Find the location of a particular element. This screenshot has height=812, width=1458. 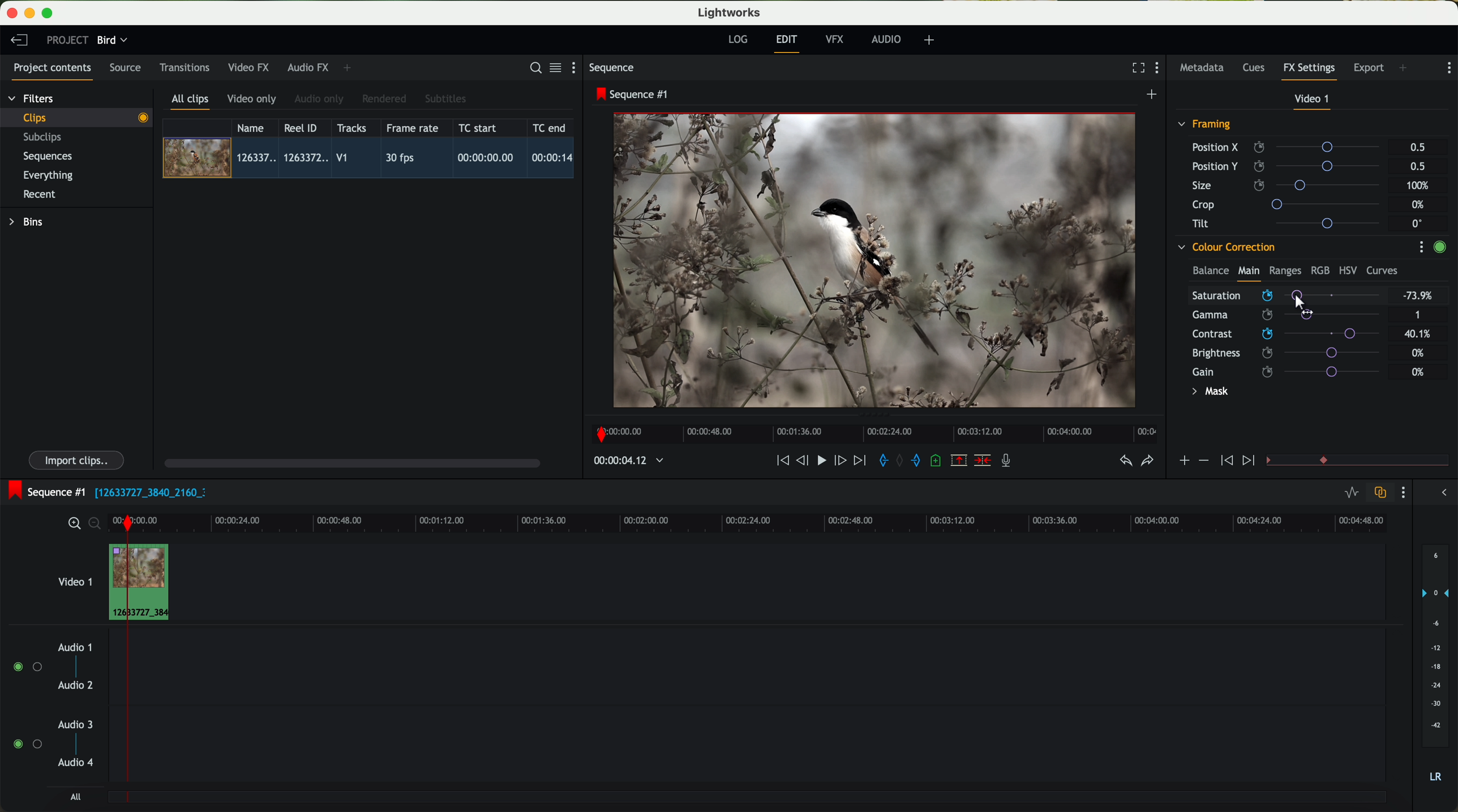

zoom out is located at coordinates (96, 525).